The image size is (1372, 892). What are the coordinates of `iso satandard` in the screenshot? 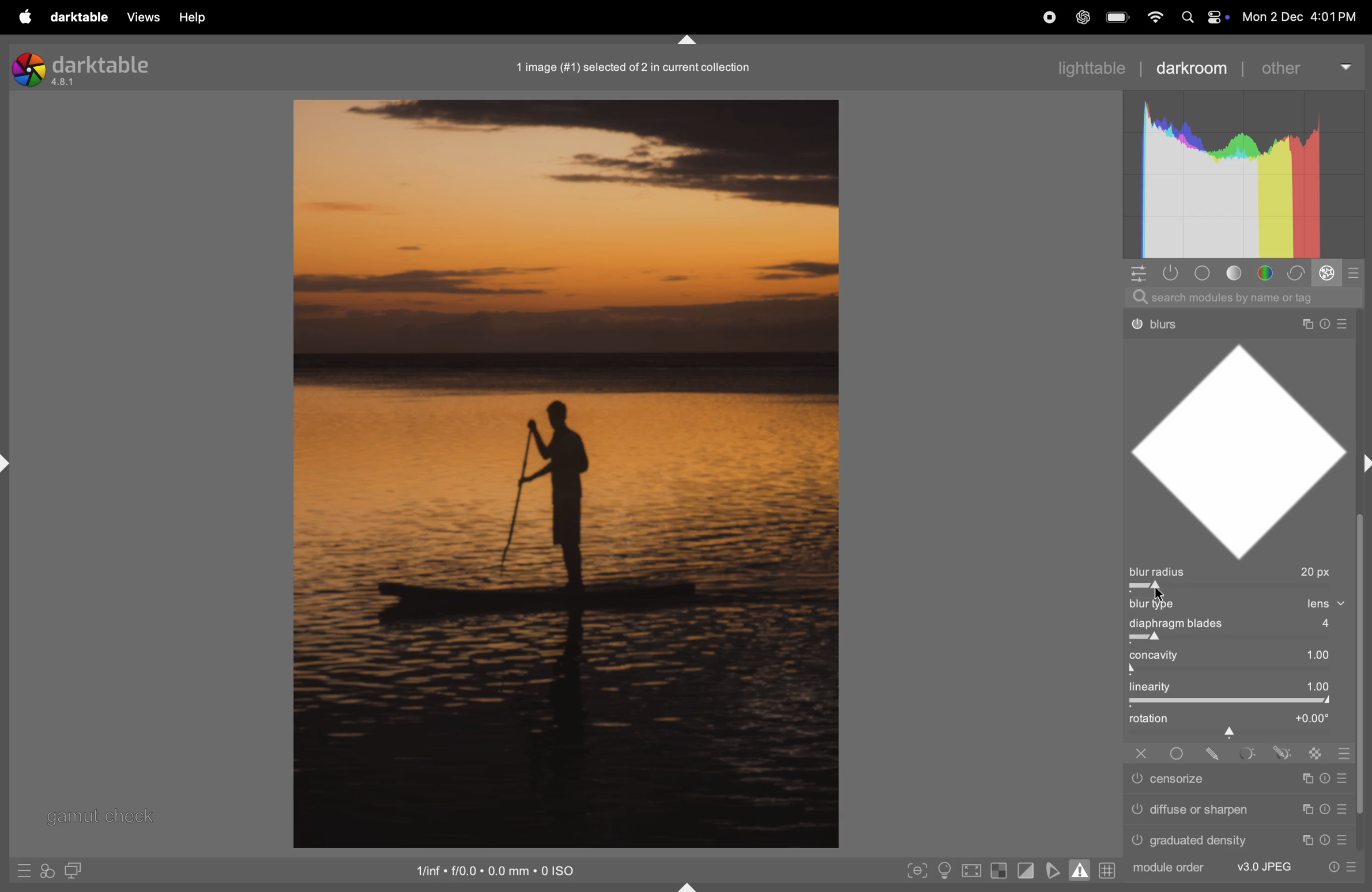 It's located at (497, 869).